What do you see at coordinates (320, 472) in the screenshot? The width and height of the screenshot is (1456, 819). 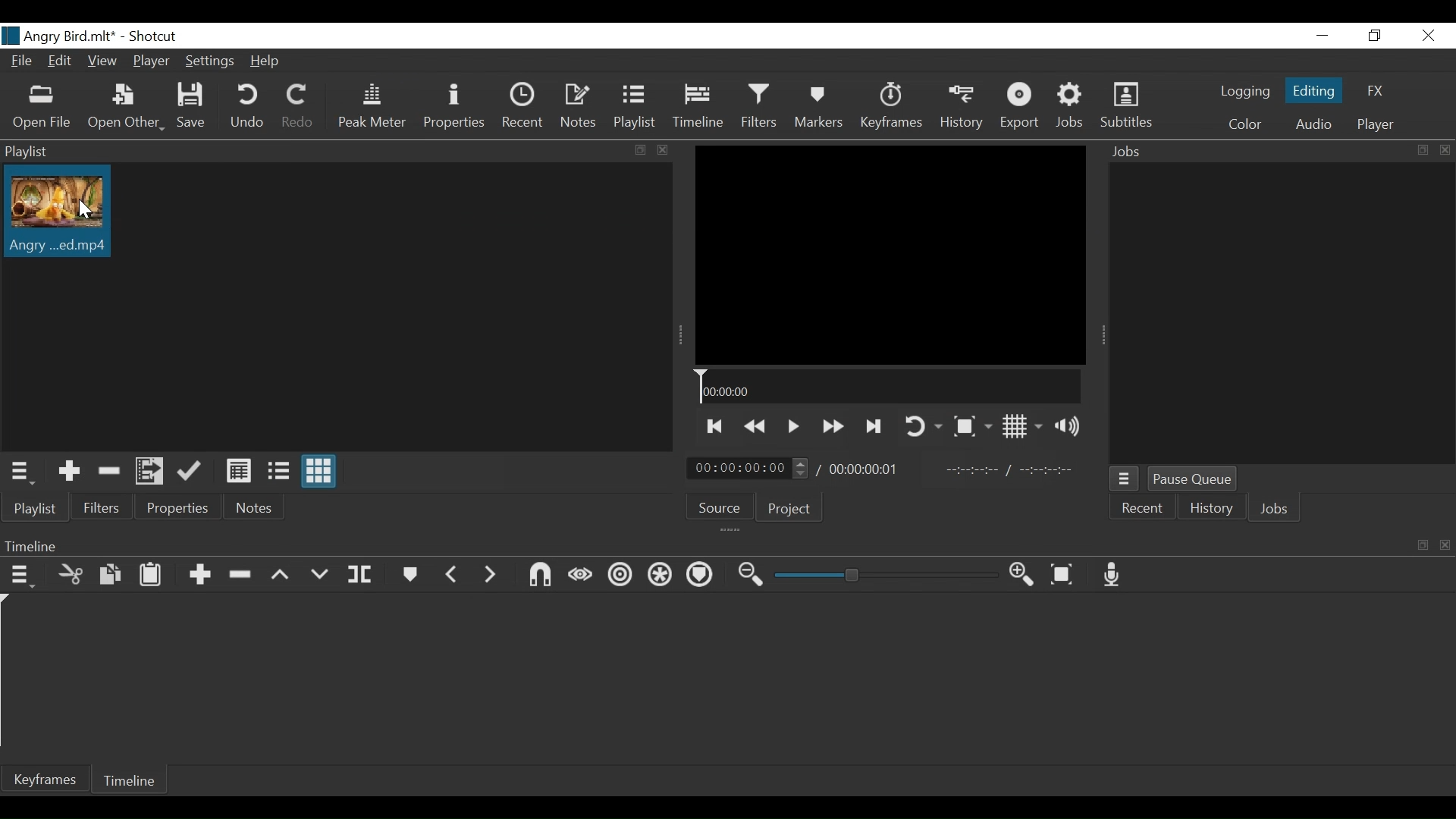 I see `View as icons` at bounding box center [320, 472].